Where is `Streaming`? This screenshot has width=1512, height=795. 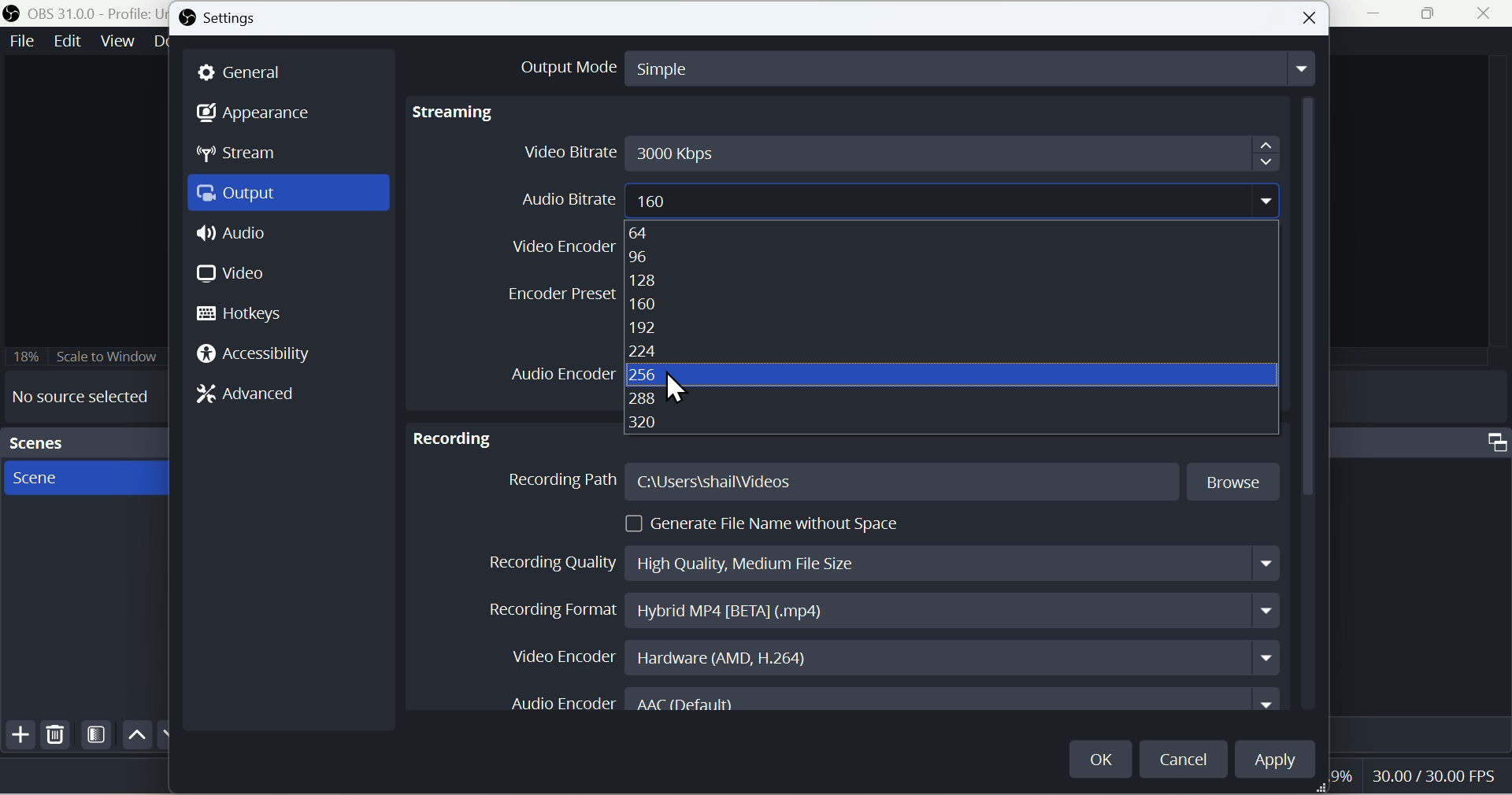 Streaming is located at coordinates (458, 113).